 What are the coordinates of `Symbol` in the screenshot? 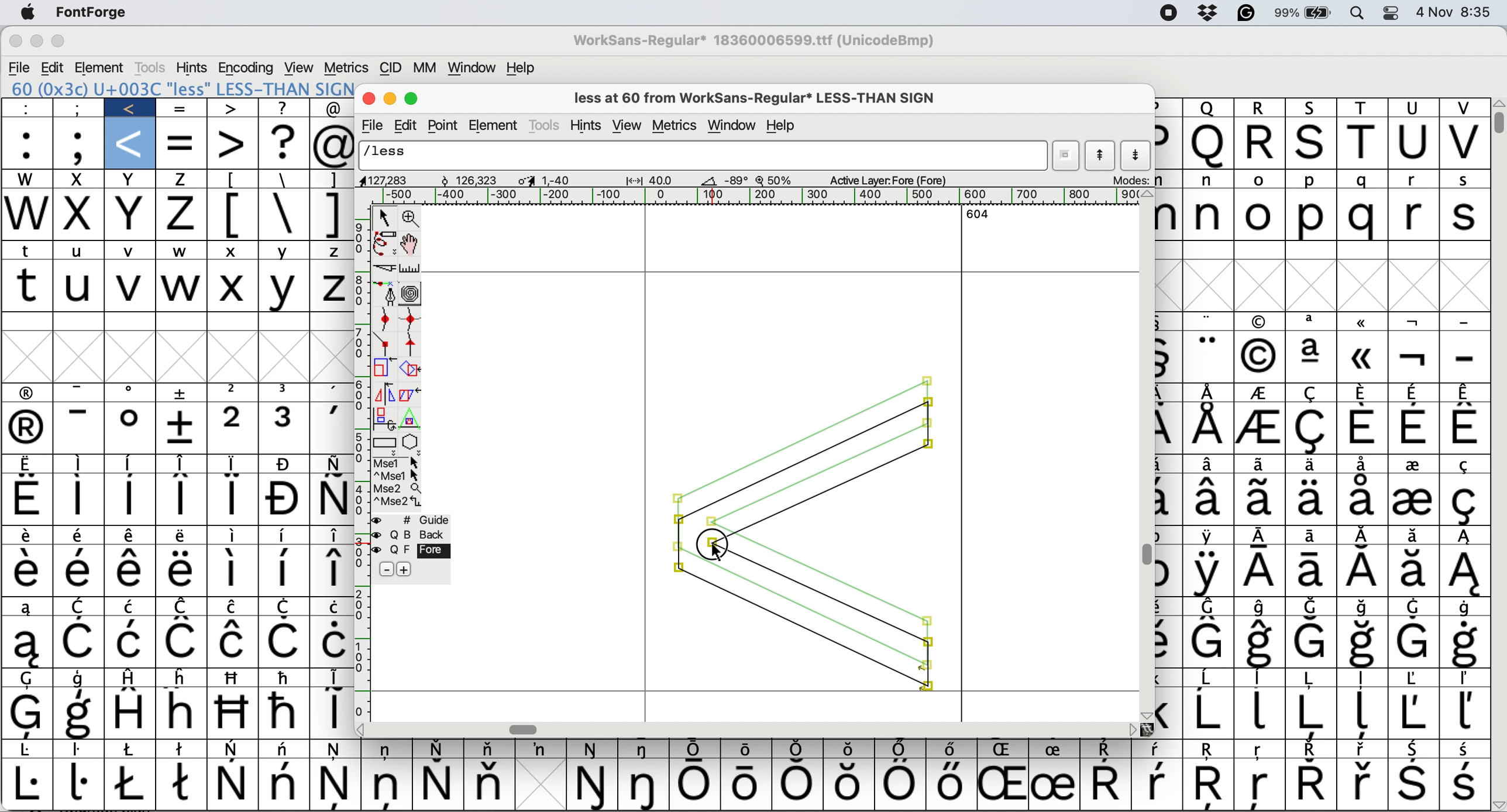 It's located at (1309, 714).